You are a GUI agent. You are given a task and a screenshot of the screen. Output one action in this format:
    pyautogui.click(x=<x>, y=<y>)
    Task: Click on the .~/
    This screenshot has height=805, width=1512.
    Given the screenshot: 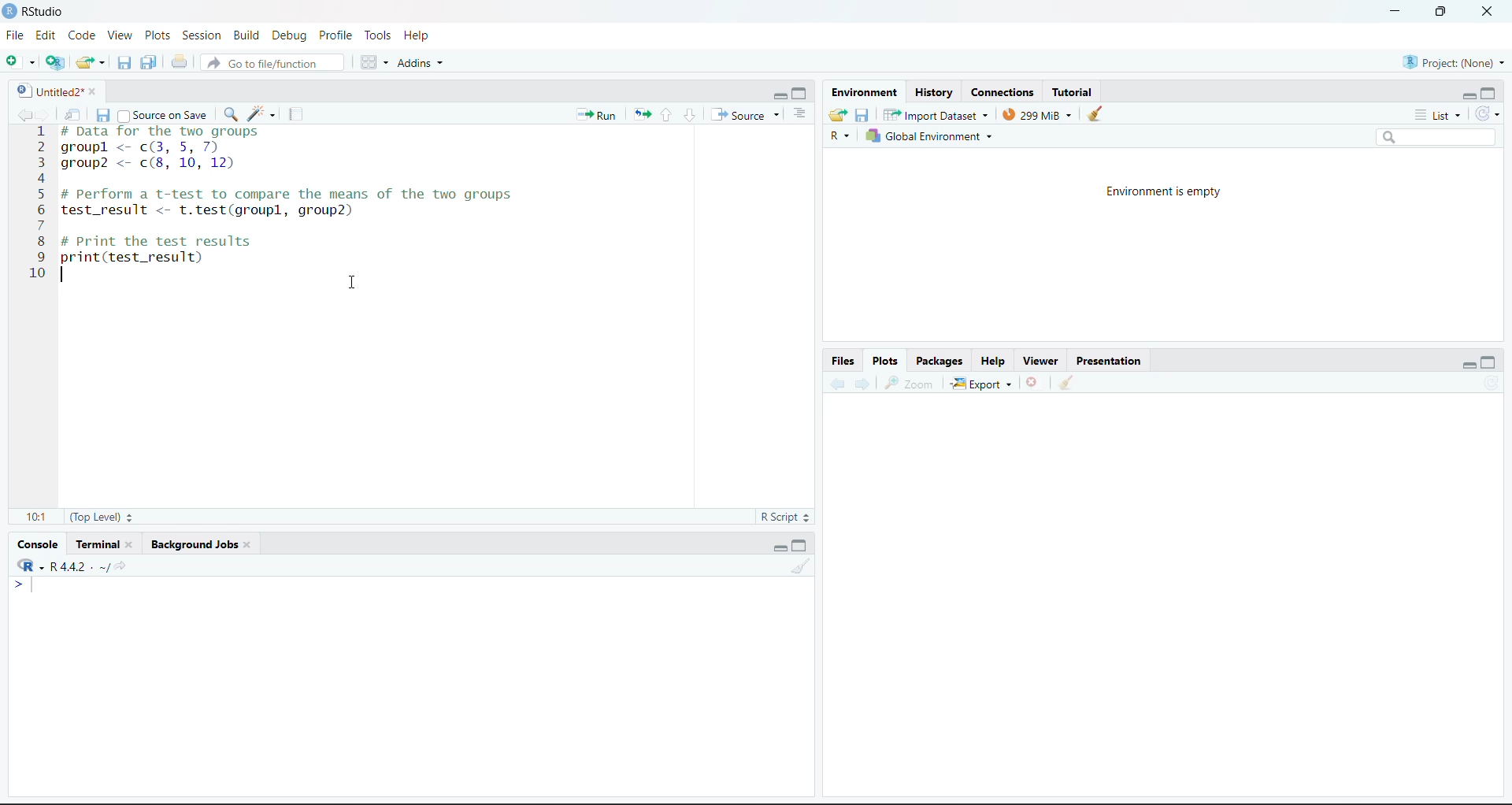 What is the action you would take?
    pyautogui.click(x=103, y=567)
    